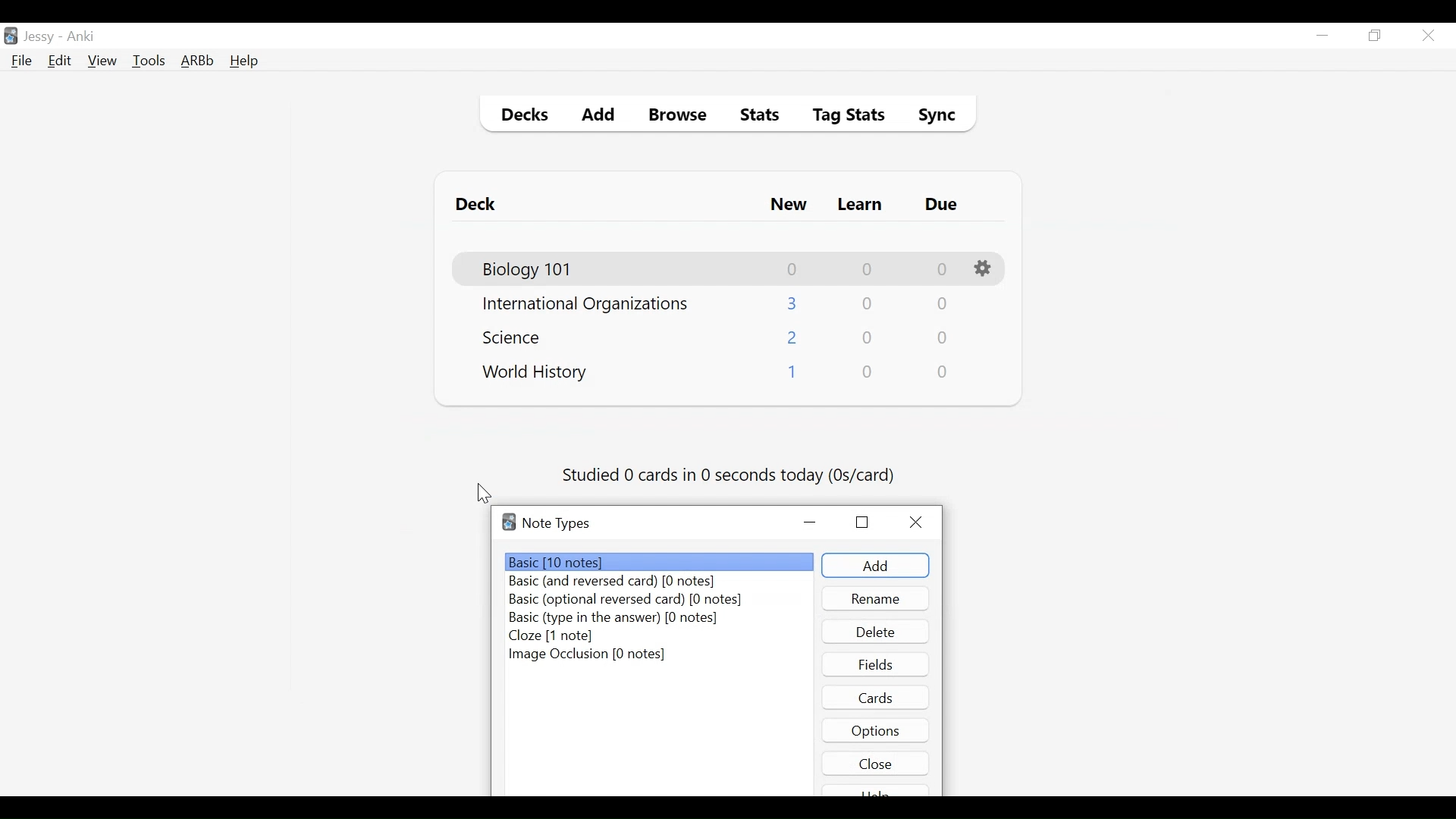 The image size is (1456, 819). I want to click on New Card Count, so click(793, 339).